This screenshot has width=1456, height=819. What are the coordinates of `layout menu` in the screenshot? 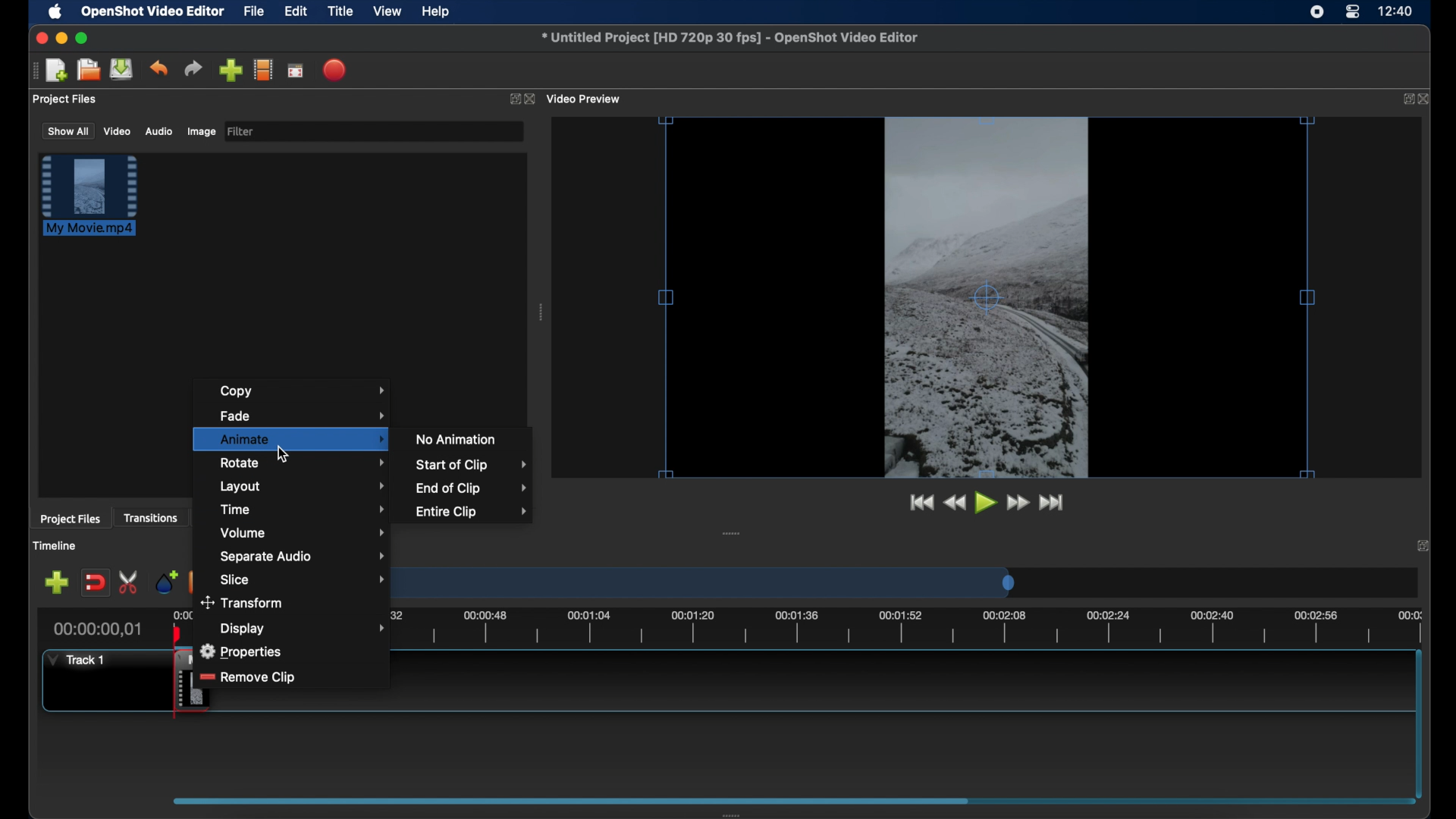 It's located at (303, 487).